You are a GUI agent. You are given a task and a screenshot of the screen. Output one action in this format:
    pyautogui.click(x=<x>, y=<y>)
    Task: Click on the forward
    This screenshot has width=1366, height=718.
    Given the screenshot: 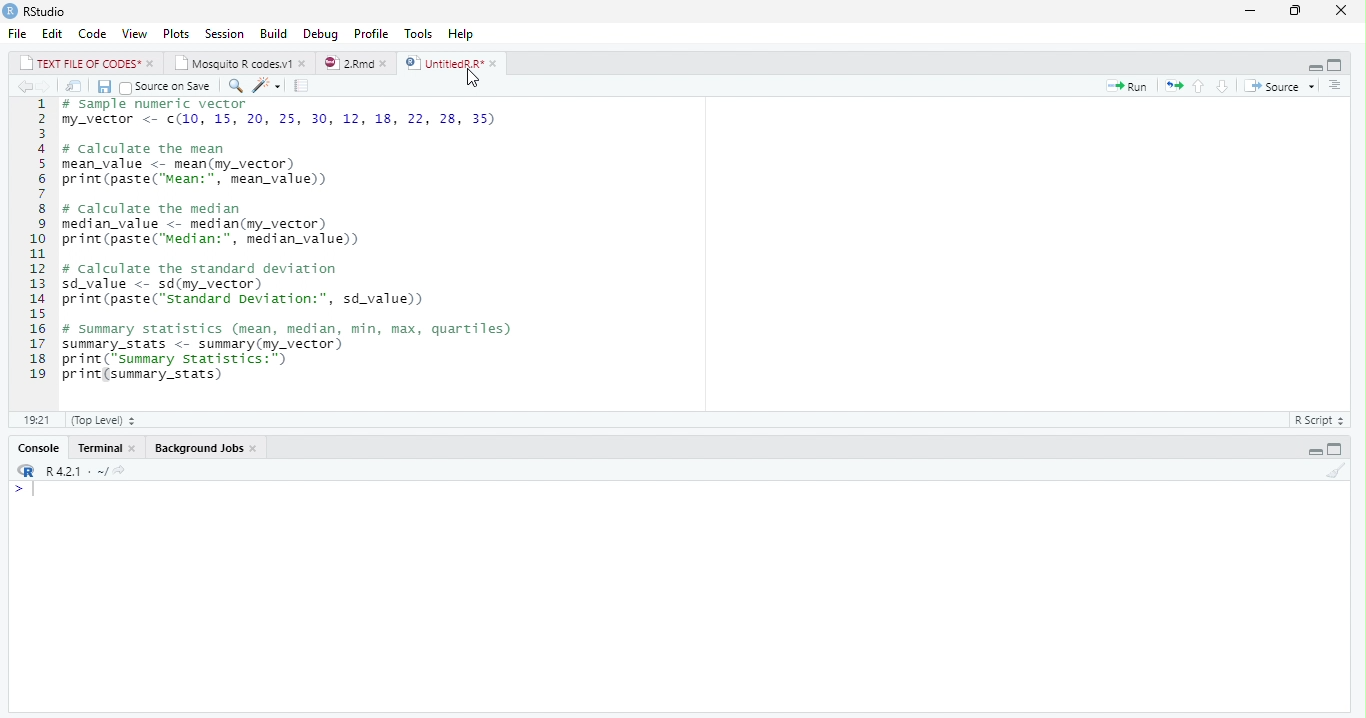 What is the action you would take?
    pyautogui.click(x=46, y=86)
    